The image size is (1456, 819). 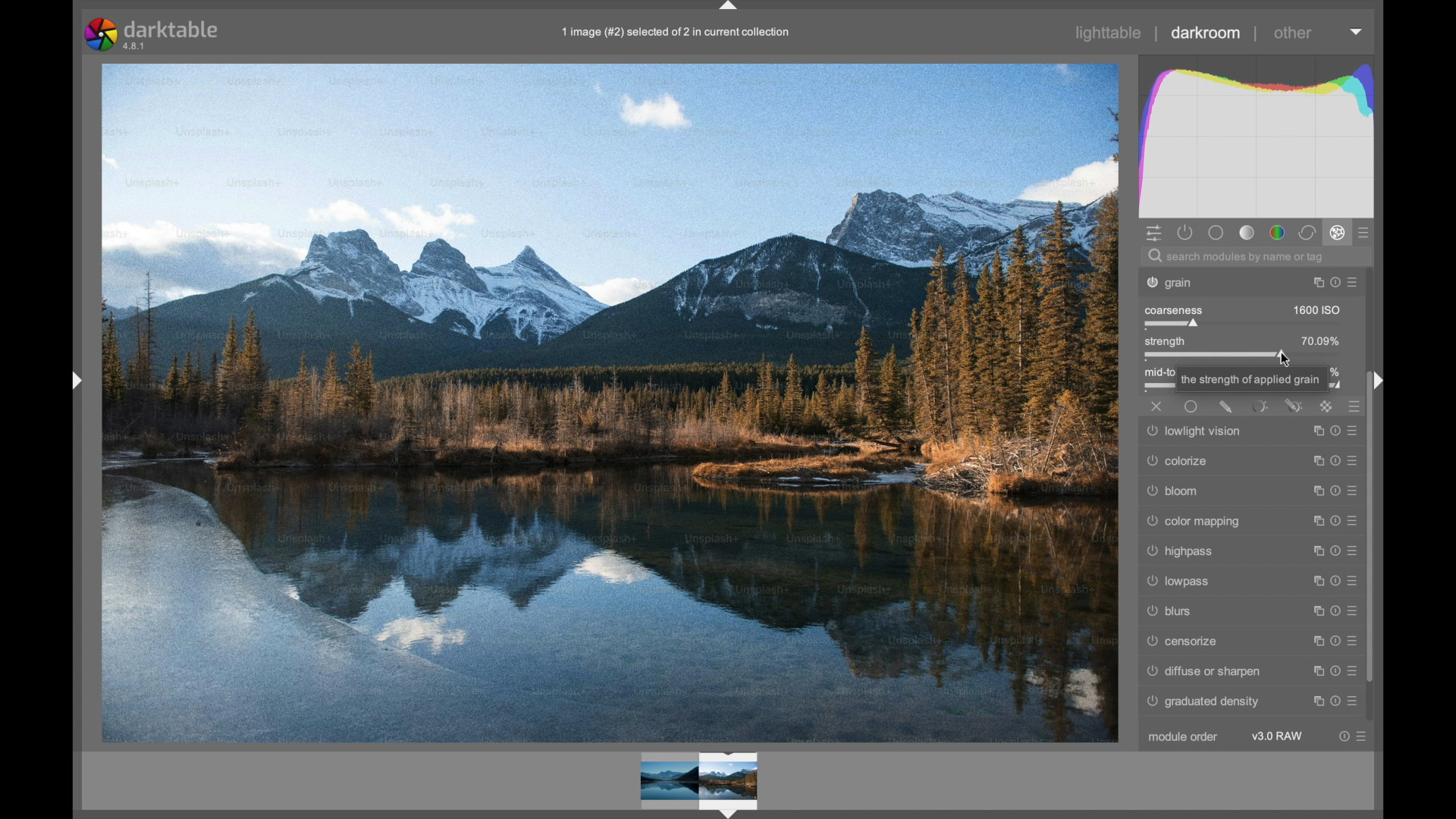 What do you see at coordinates (1185, 234) in the screenshot?
I see `show active modules only` at bounding box center [1185, 234].